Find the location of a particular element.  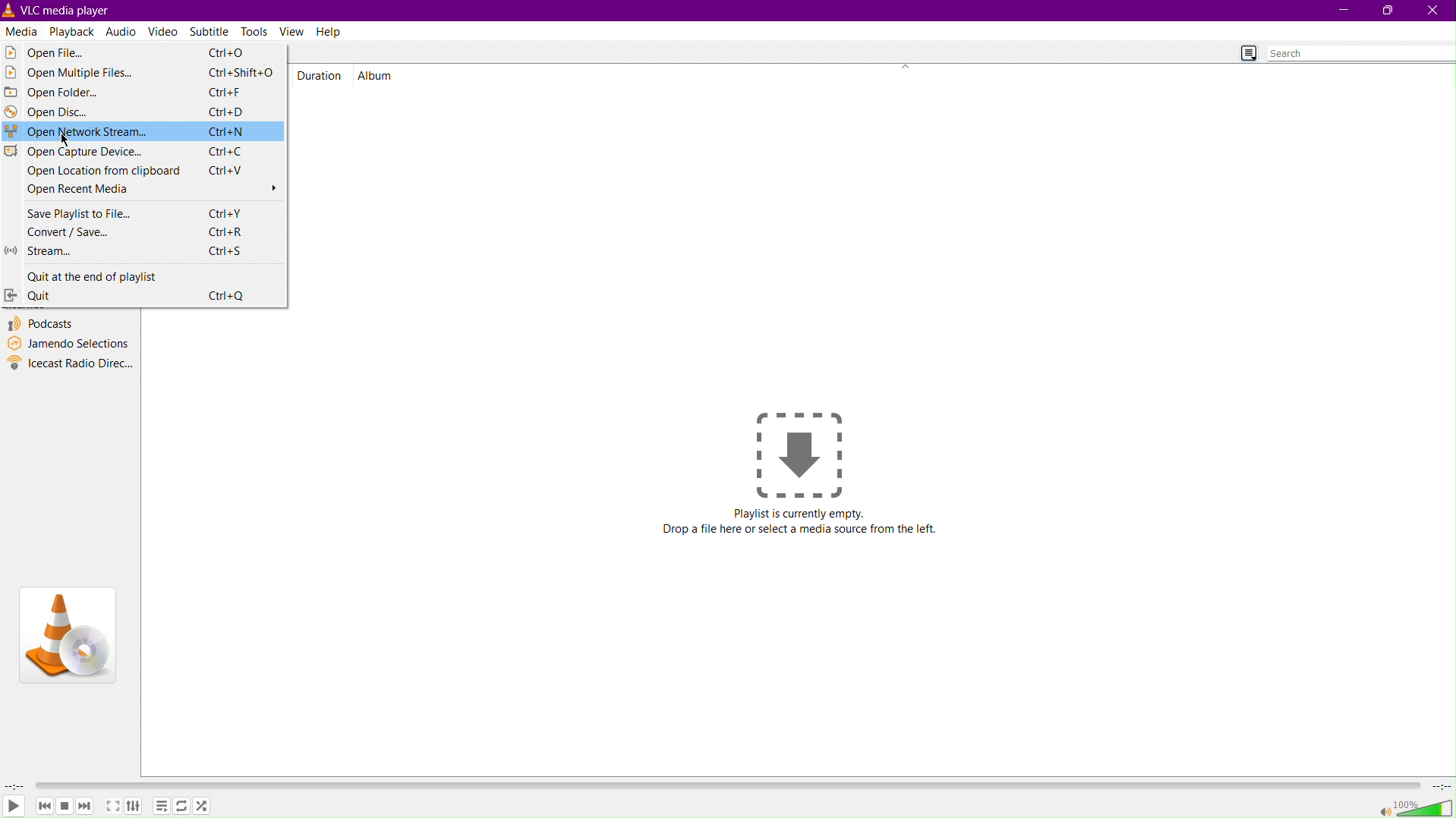

Stop is located at coordinates (66, 807).